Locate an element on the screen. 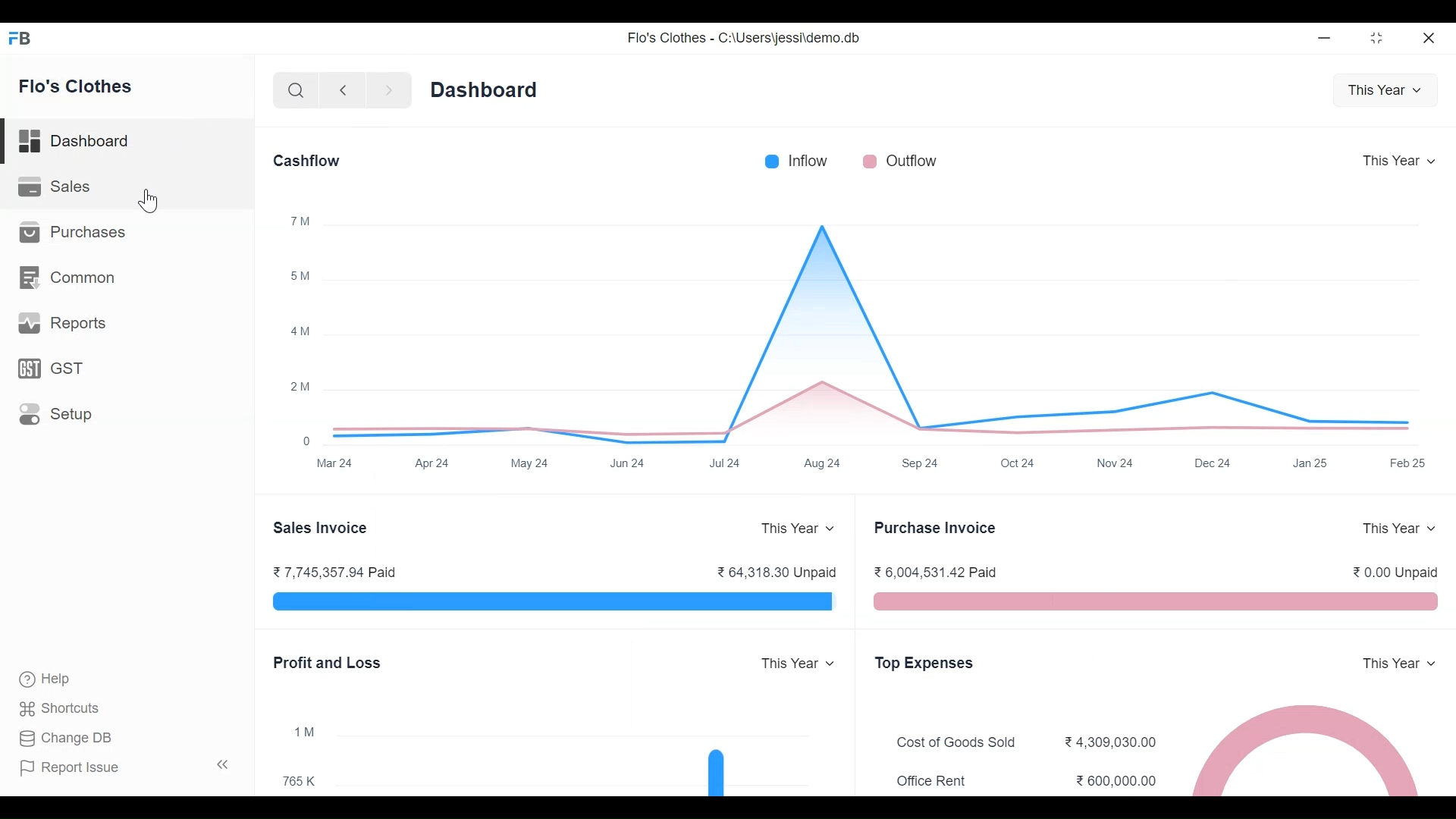 The image size is (1456, 819). This Year is located at coordinates (801, 664).